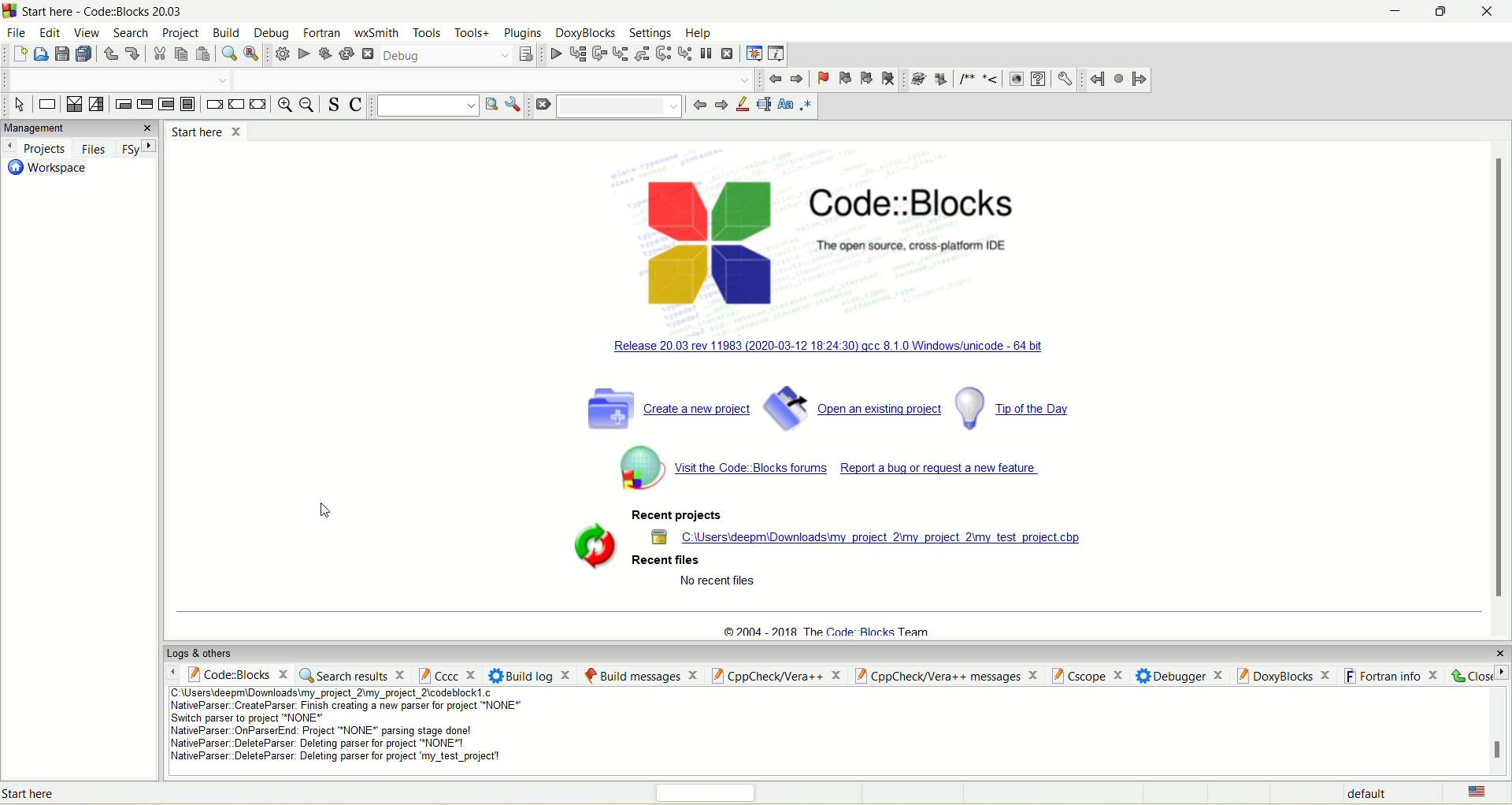 This screenshot has width=1512, height=805. What do you see at coordinates (1473, 676) in the screenshot?
I see `close` at bounding box center [1473, 676].